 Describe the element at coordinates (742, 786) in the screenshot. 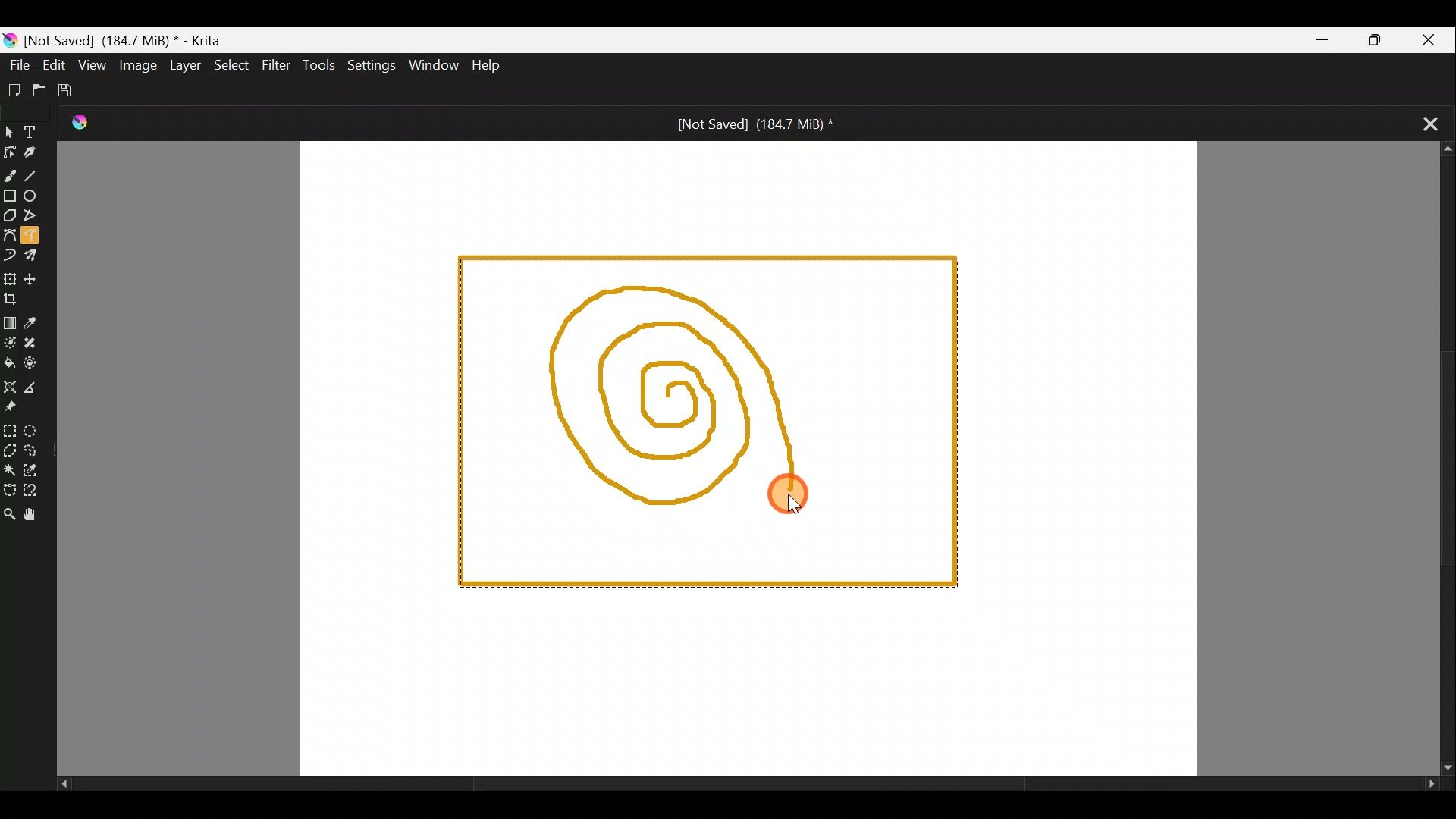

I see `Scroll bar` at that location.